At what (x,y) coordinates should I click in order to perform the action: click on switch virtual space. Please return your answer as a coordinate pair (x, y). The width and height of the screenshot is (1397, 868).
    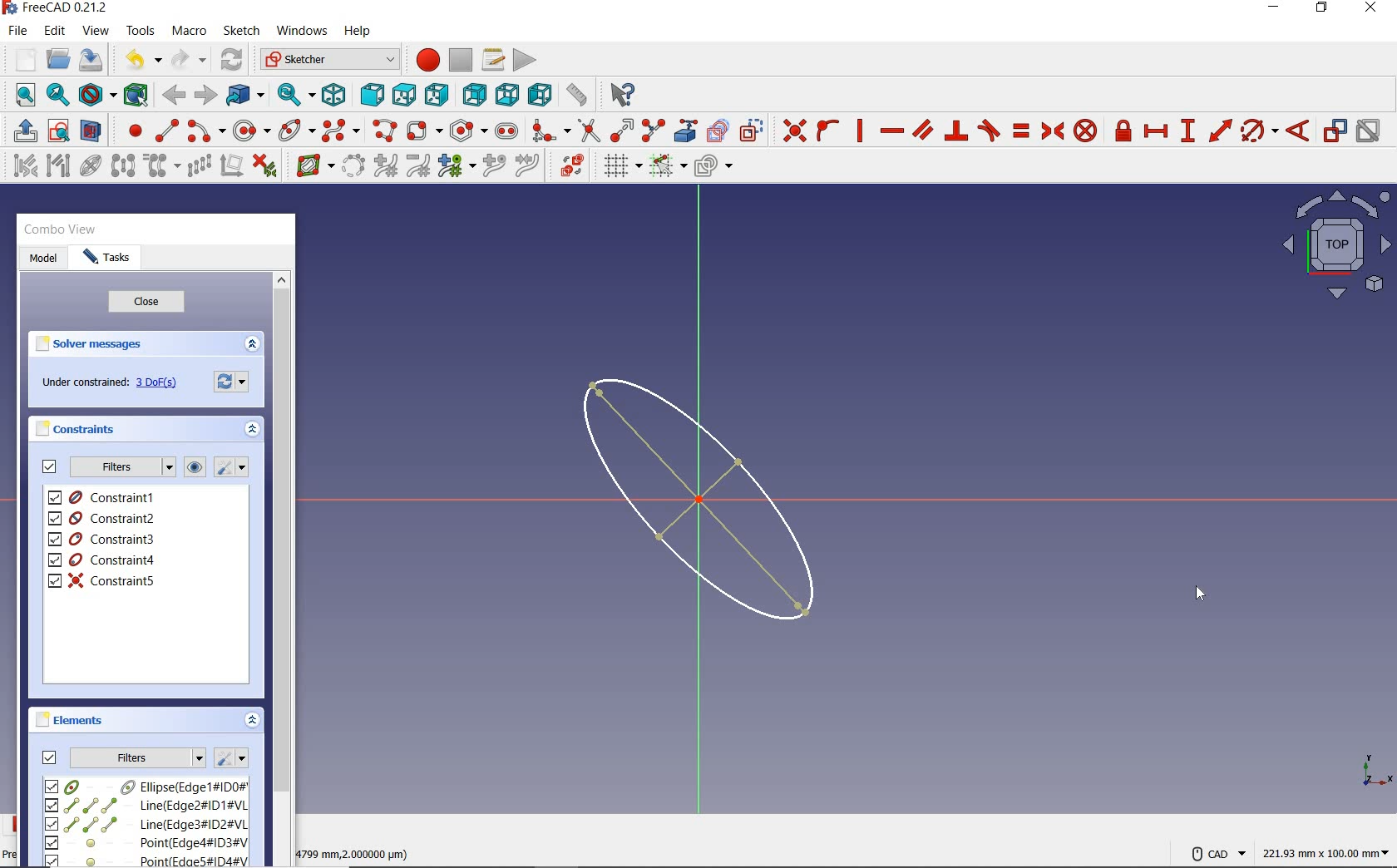
    Looking at the image, I should click on (571, 165).